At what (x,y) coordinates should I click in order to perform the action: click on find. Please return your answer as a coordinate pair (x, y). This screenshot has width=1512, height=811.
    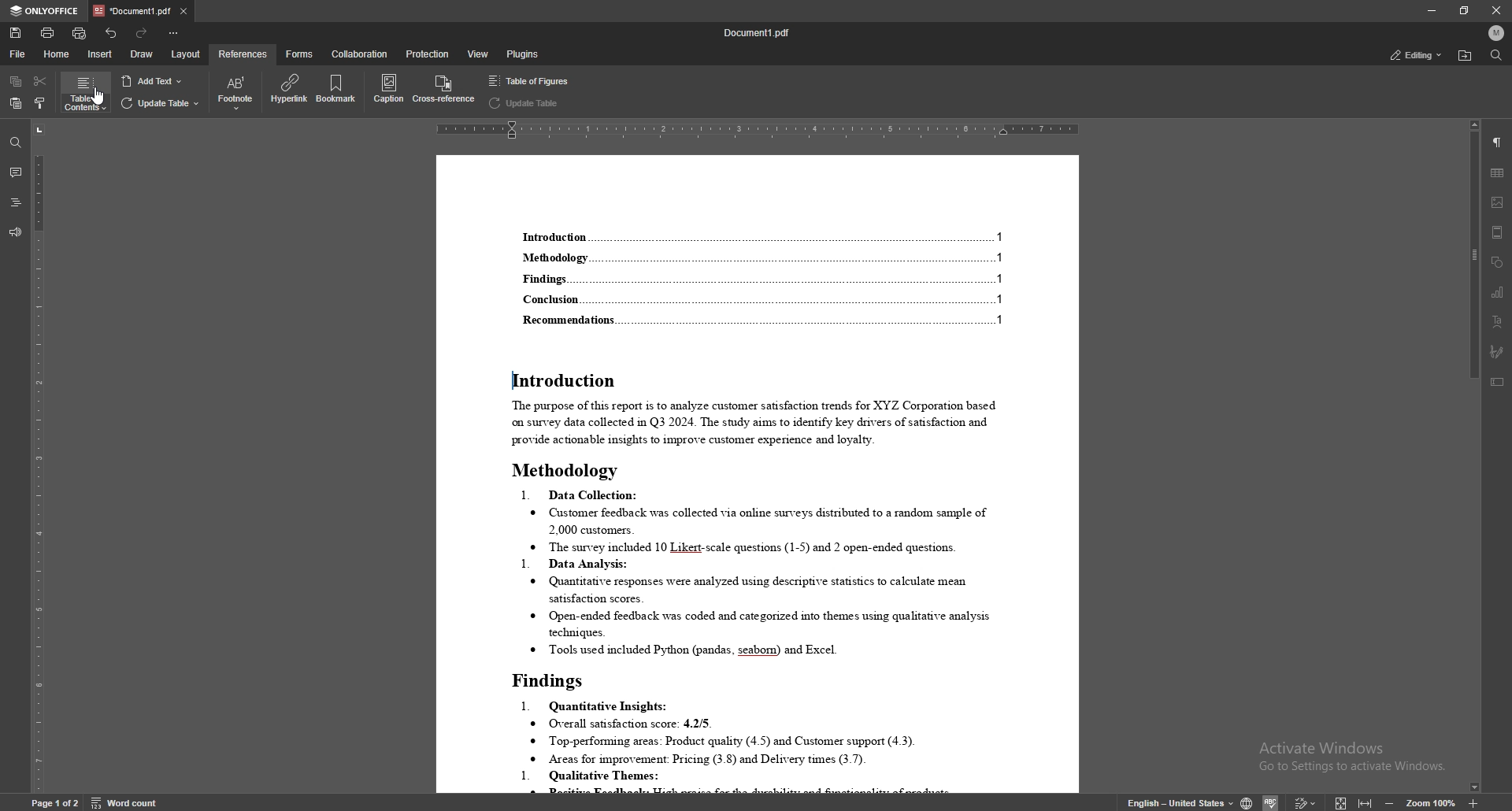
    Looking at the image, I should click on (1496, 55).